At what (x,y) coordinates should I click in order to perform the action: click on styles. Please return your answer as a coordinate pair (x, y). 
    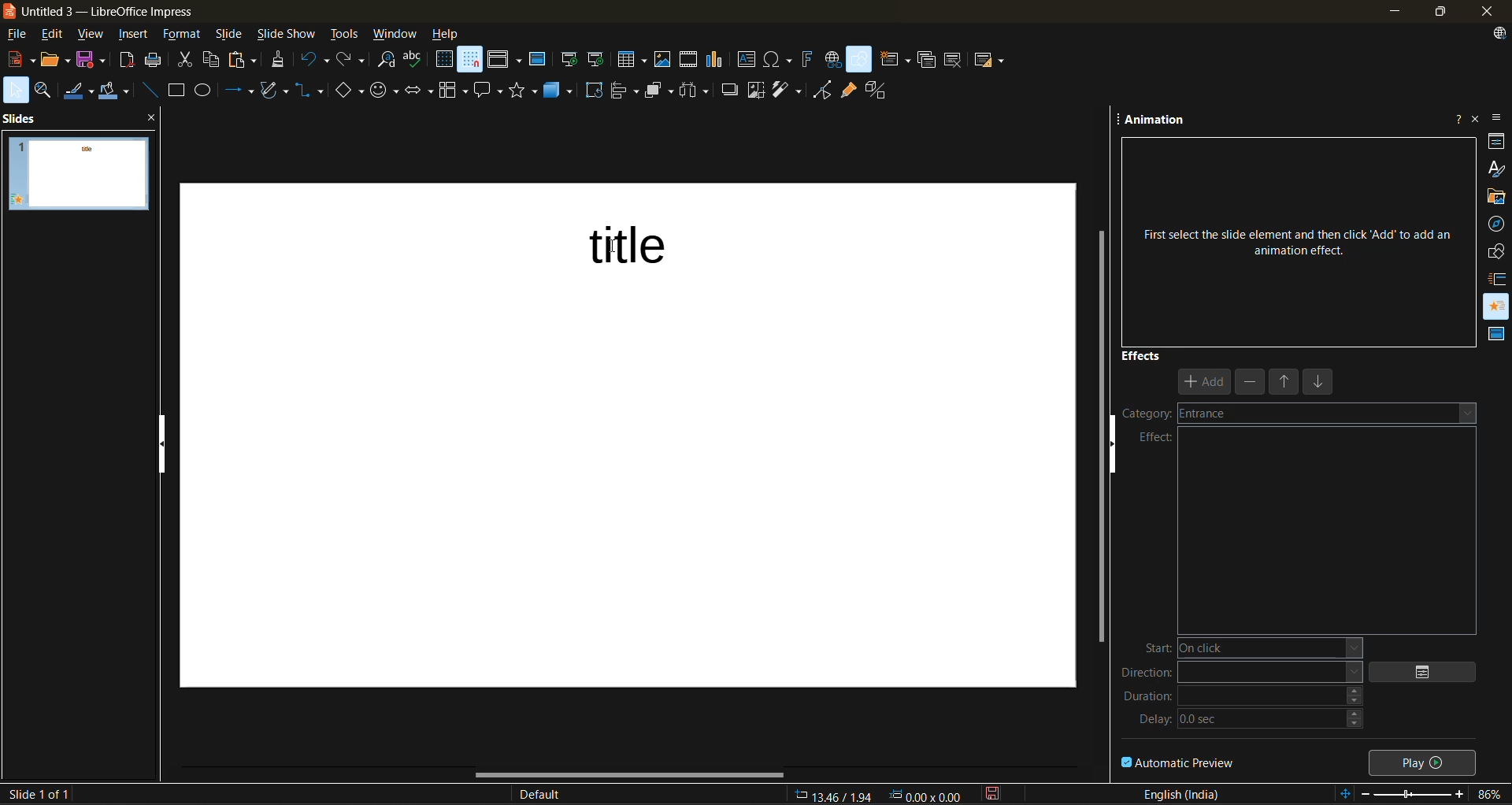
    Looking at the image, I should click on (1497, 167).